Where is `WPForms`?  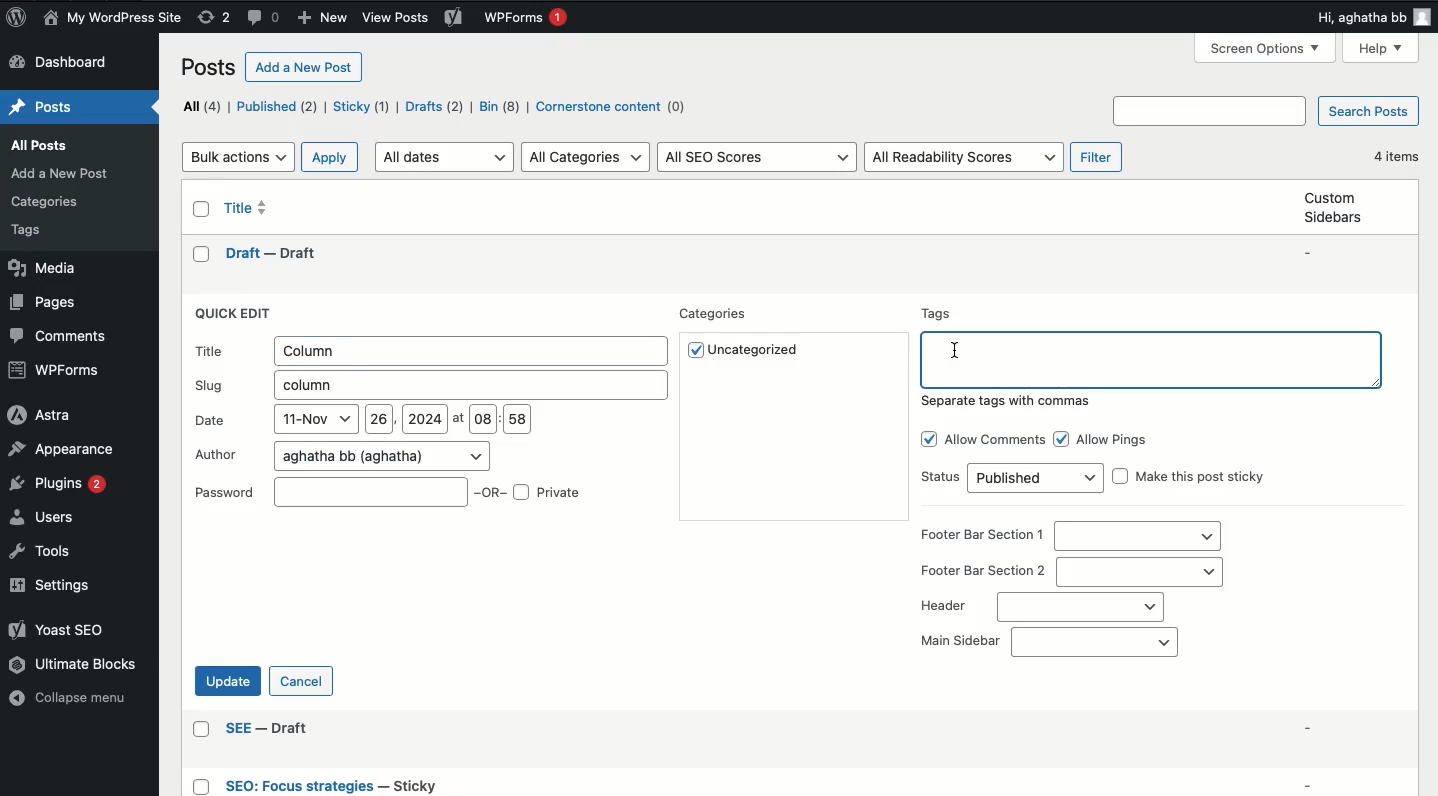 WPForms is located at coordinates (528, 19).